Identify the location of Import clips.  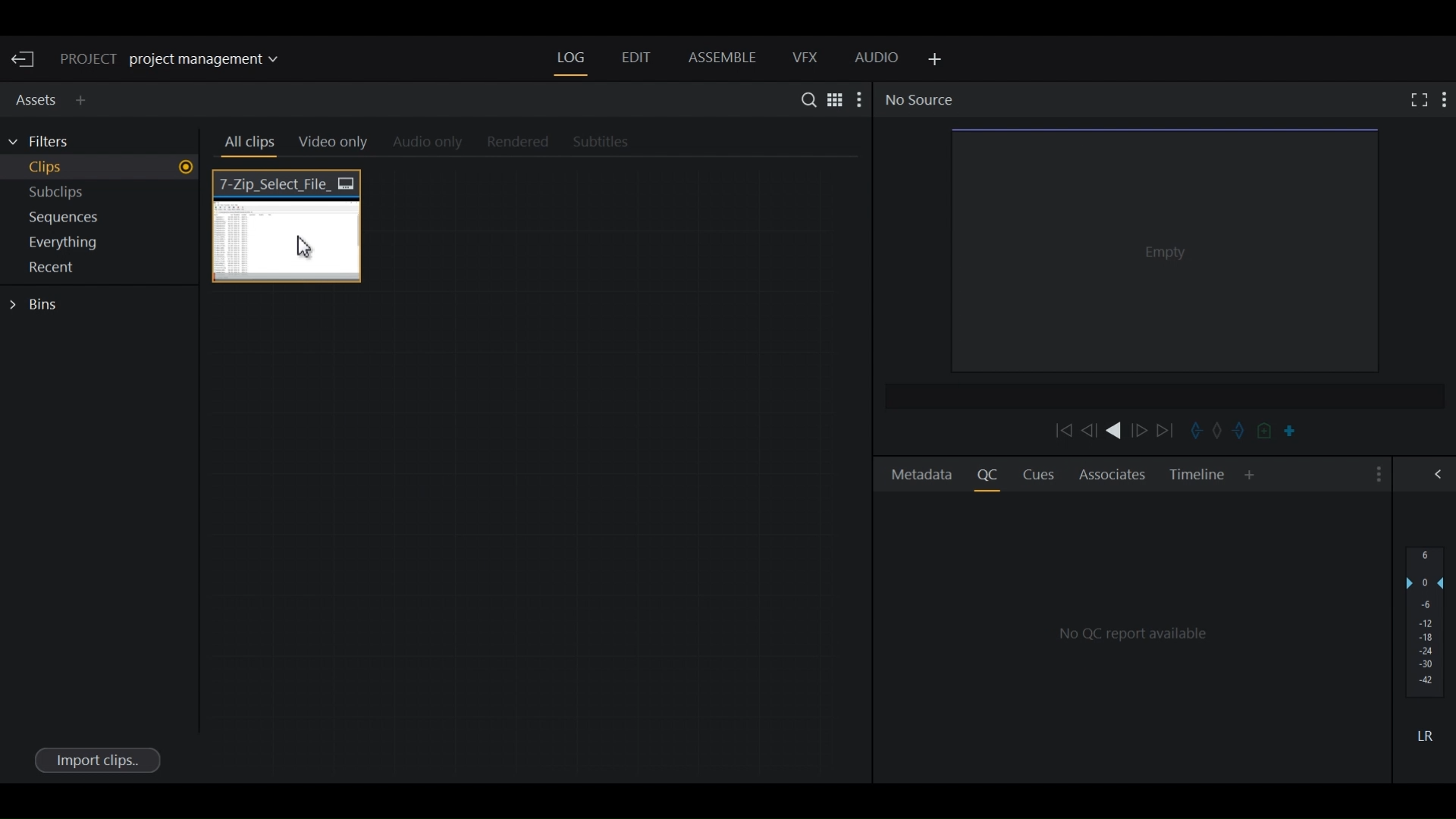
(96, 759).